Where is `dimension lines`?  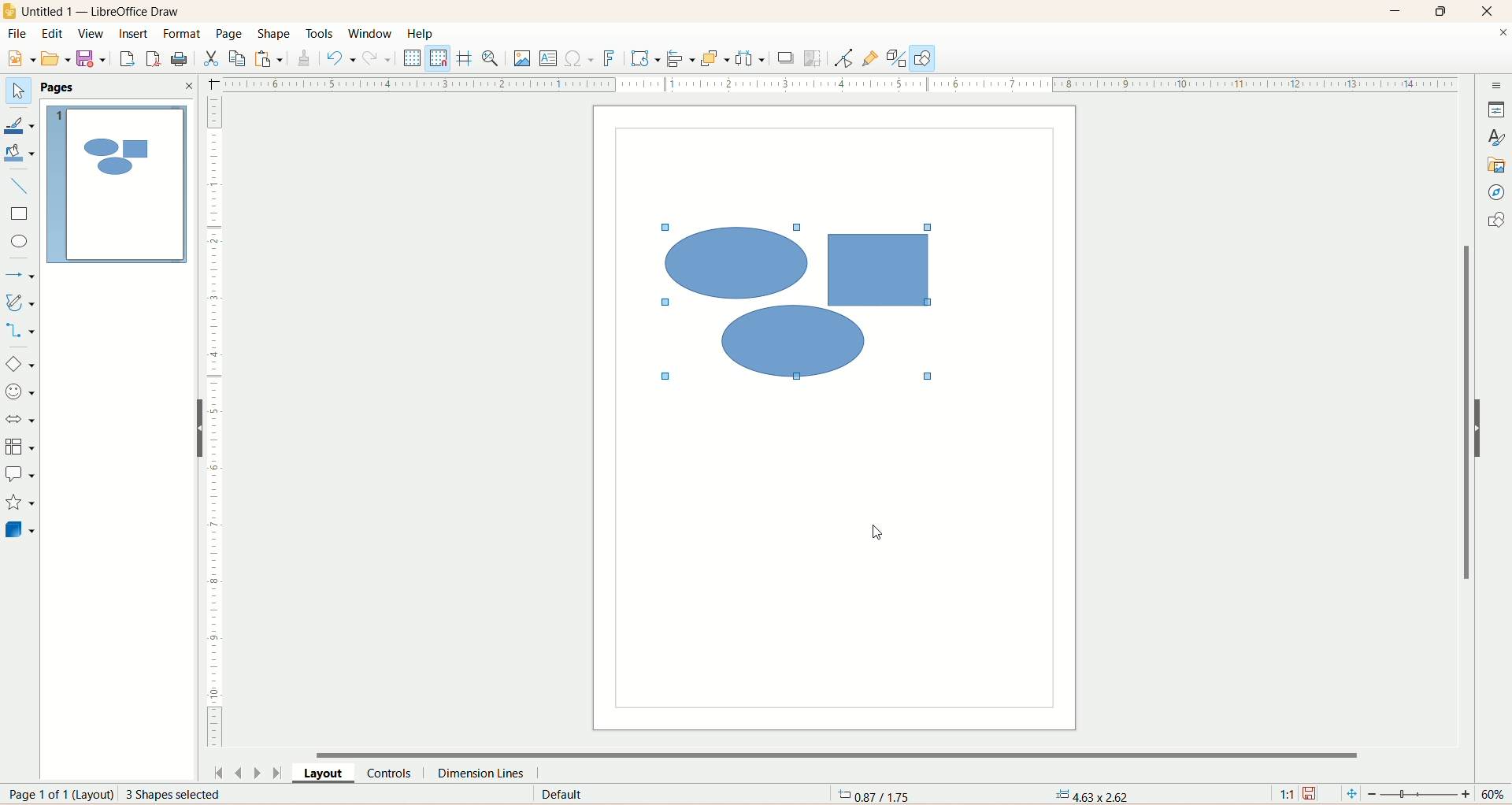
dimension lines is located at coordinates (483, 773).